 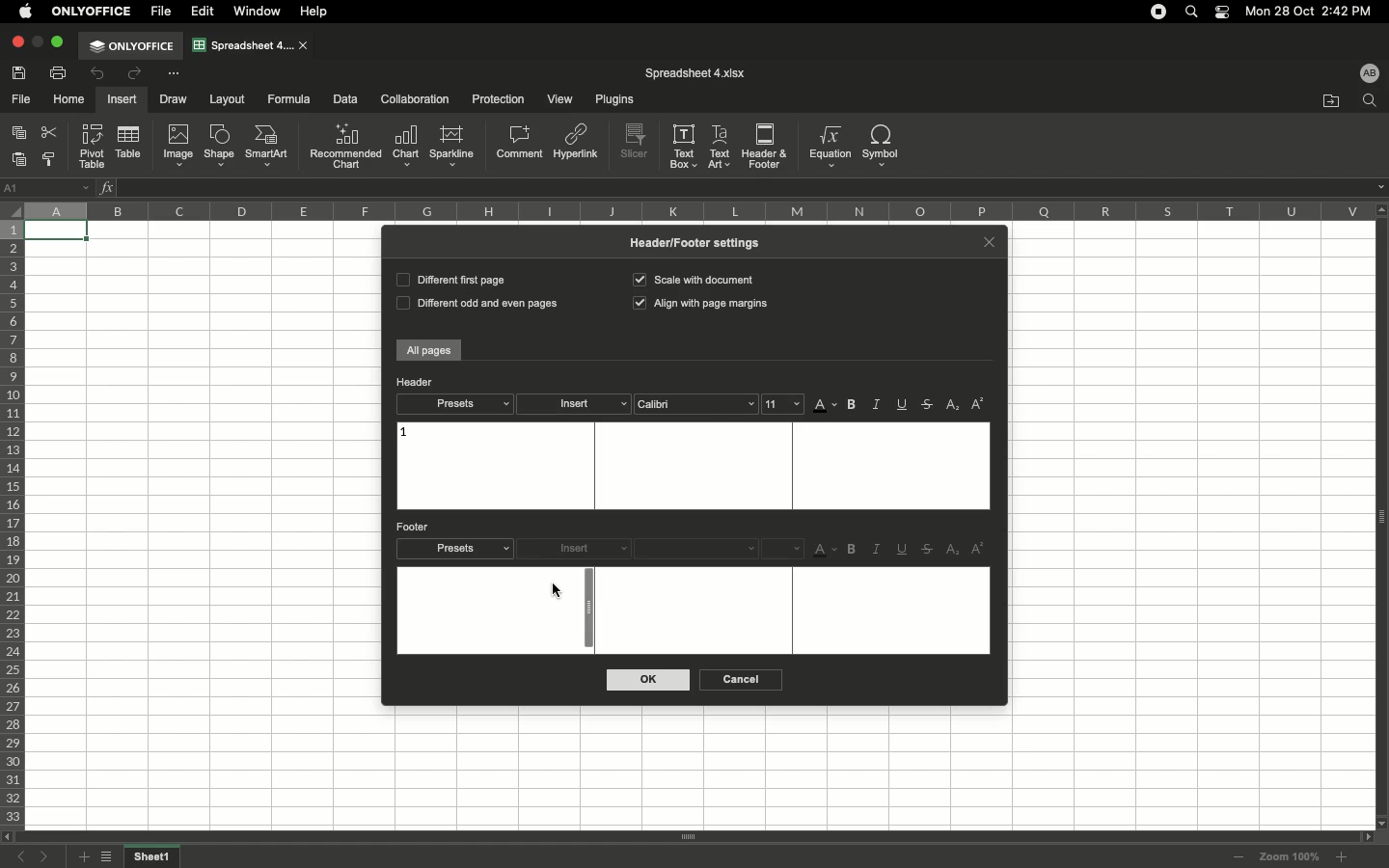 What do you see at coordinates (317, 12) in the screenshot?
I see `Help` at bounding box center [317, 12].